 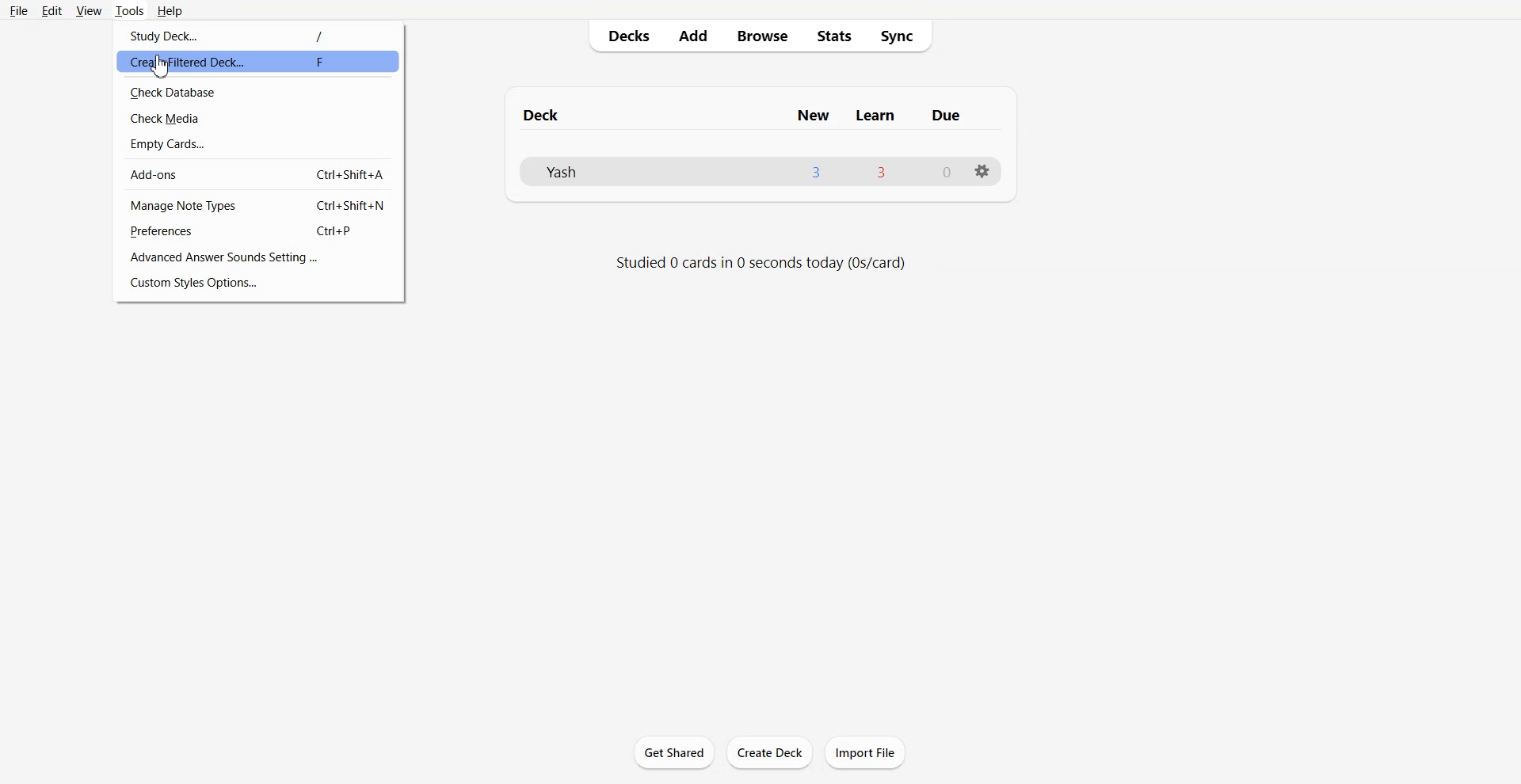 What do you see at coordinates (90, 10) in the screenshot?
I see `View` at bounding box center [90, 10].